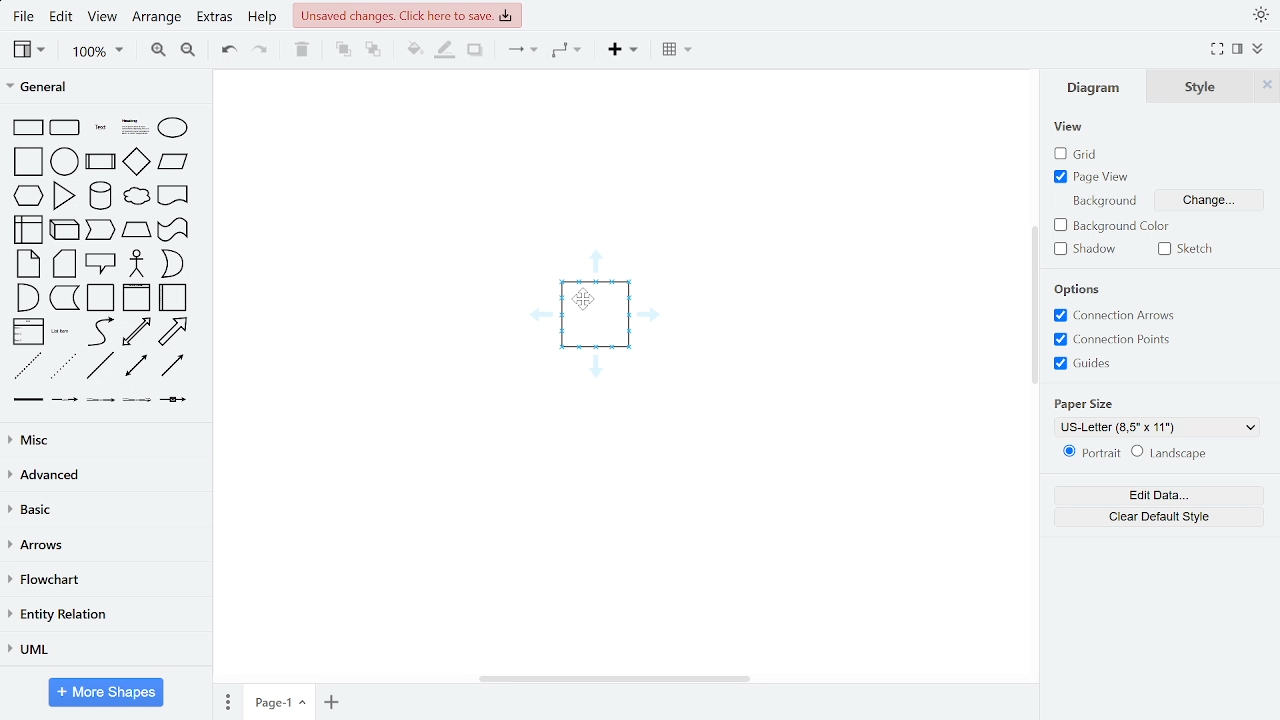 This screenshot has width=1280, height=720. What do you see at coordinates (97, 127) in the screenshot?
I see `general shapesgeneral shapes` at bounding box center [97, 127].